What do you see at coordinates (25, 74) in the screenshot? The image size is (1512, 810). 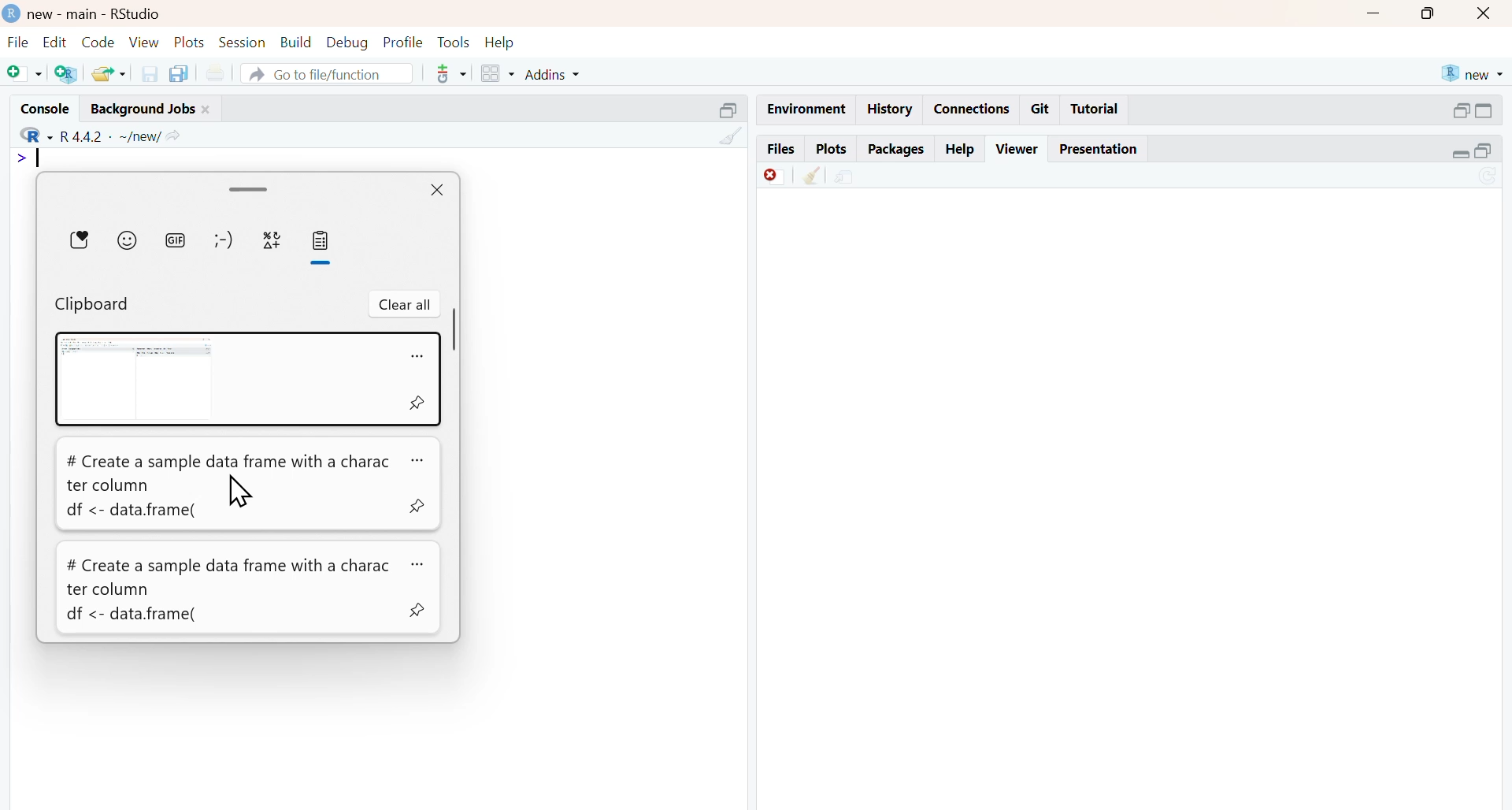 I see `add file as` at bounding box center [25, 74].